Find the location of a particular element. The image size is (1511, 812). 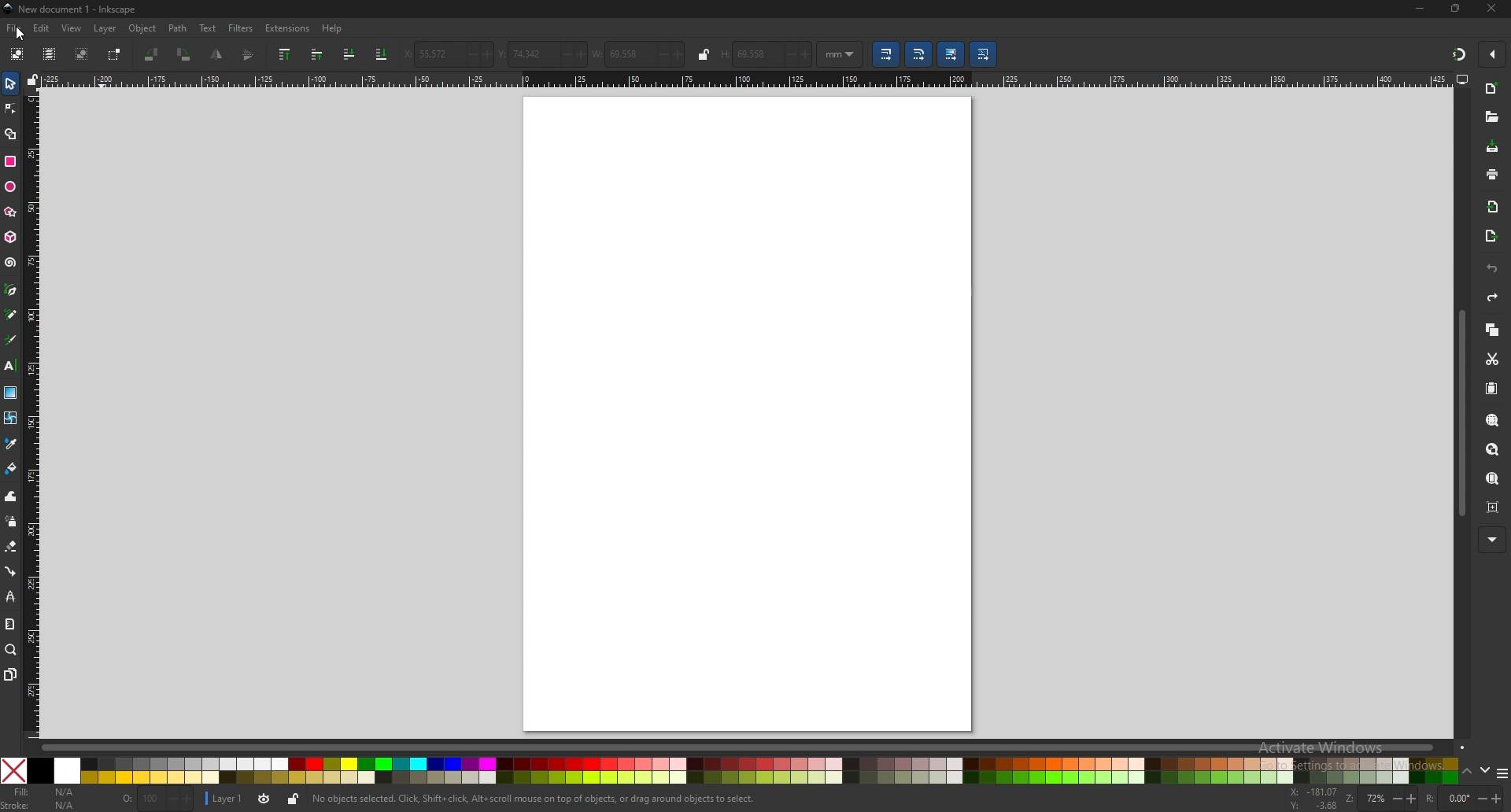

undo is located at coordinates (1493, 268).